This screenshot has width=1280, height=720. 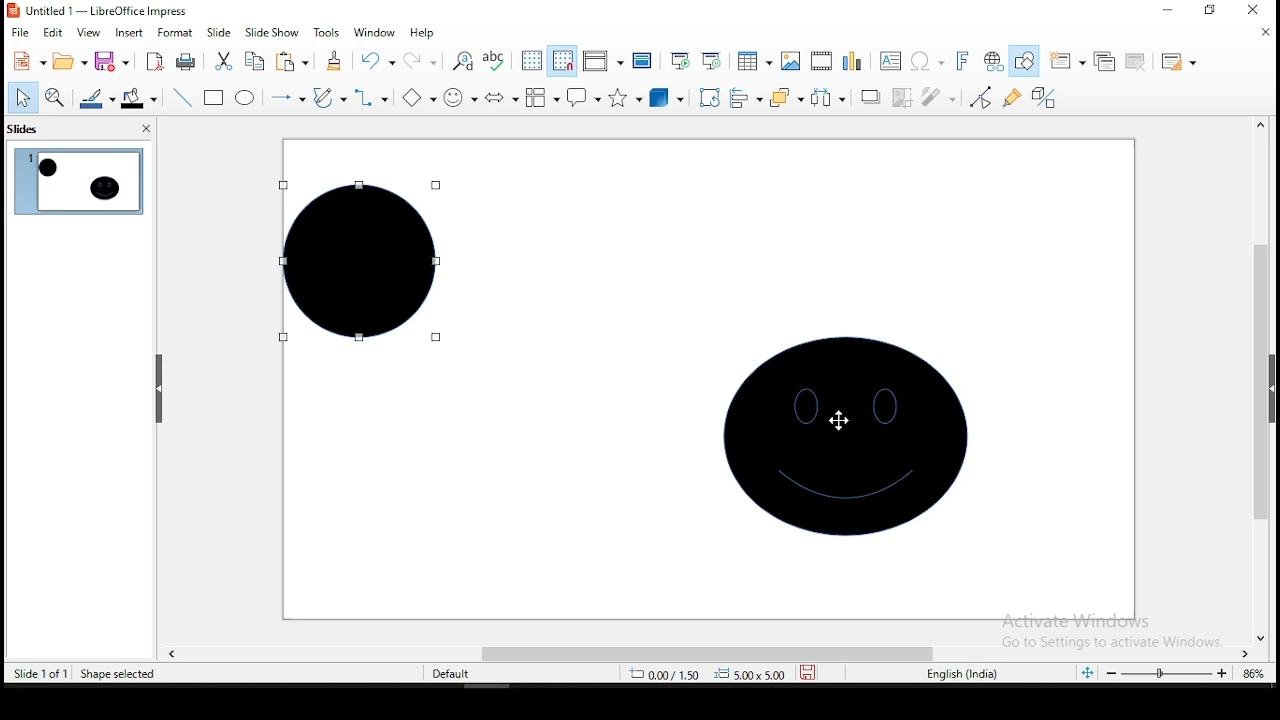 What do you see at coordinates (416, 97) in the screenshot?
I see `basic shapes` at bounding box center [416, 97].